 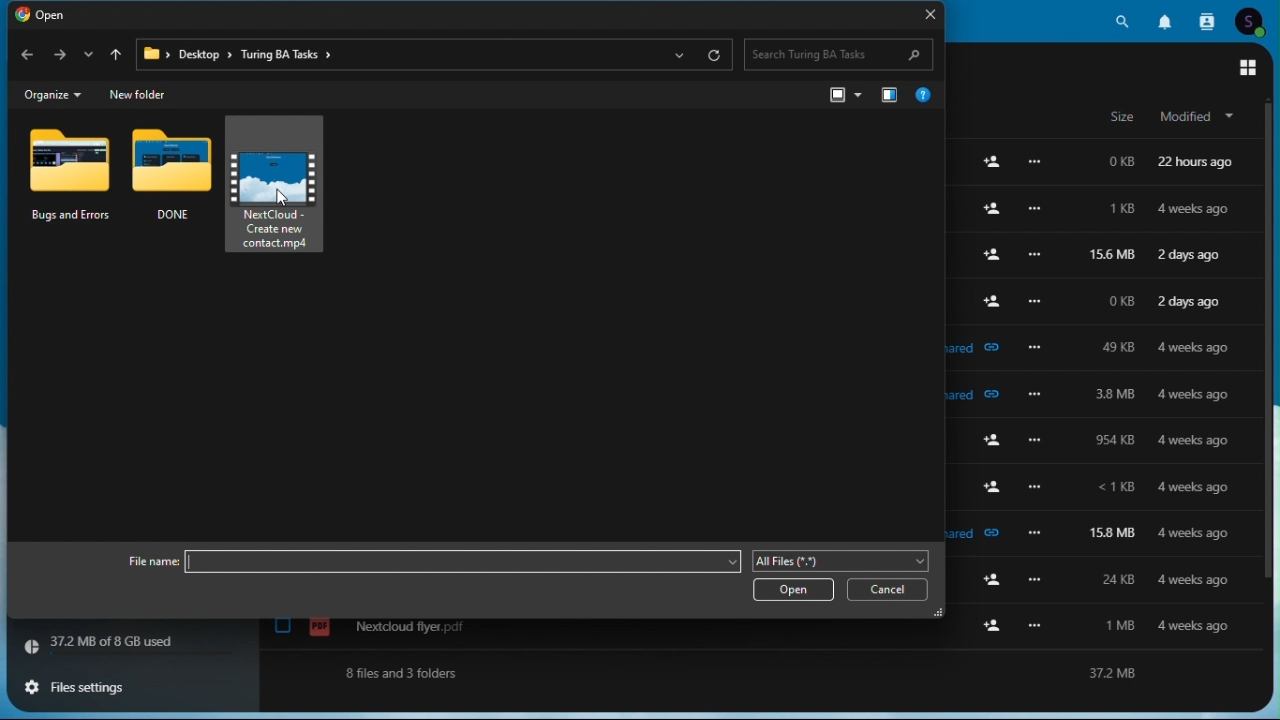 I want to click on , so click(x=1036, y=164).